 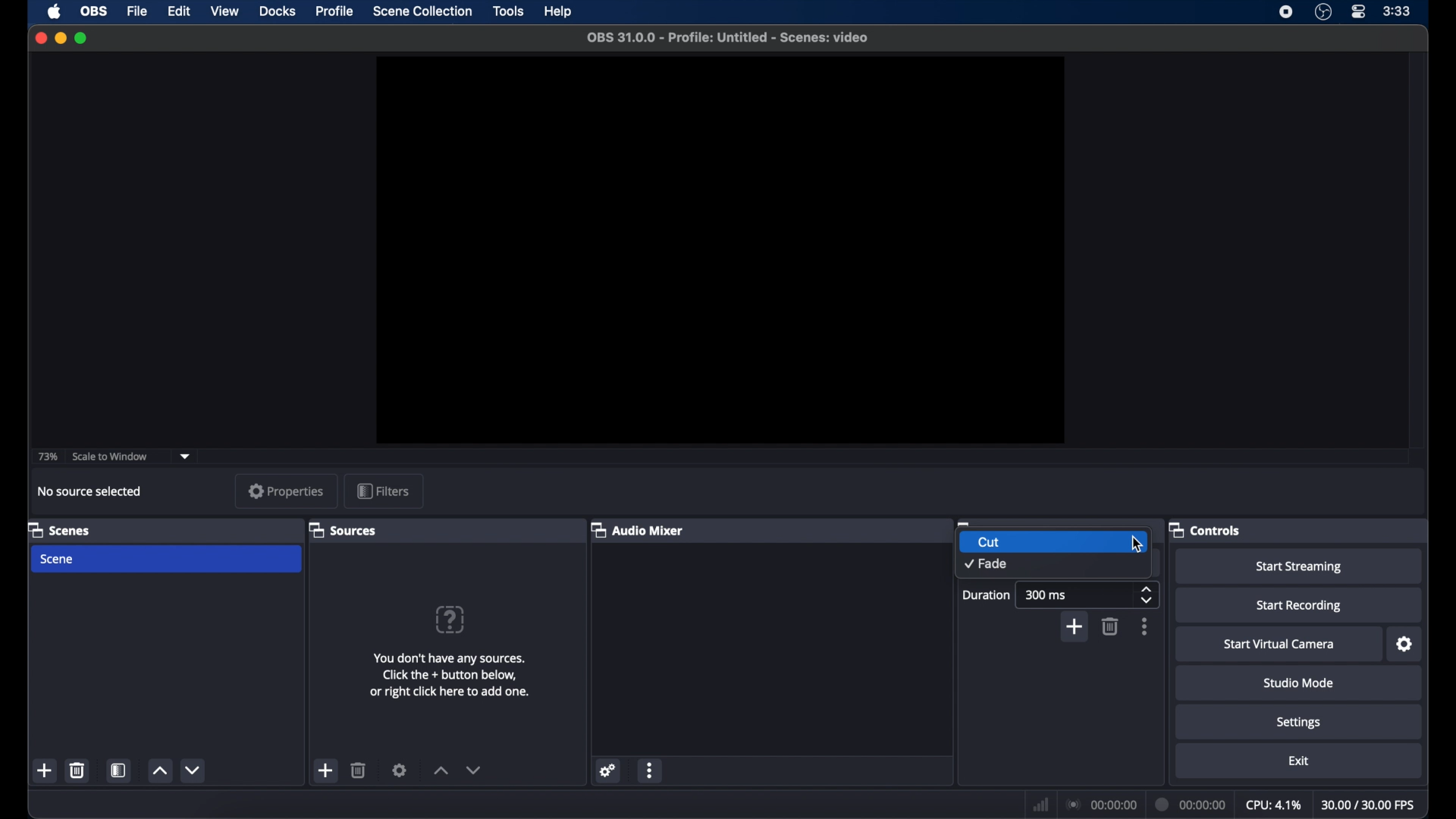 What do you see at coordinates (422, 11) in the screenshot?
I see `scene collection` at bounding box center [422, 11].